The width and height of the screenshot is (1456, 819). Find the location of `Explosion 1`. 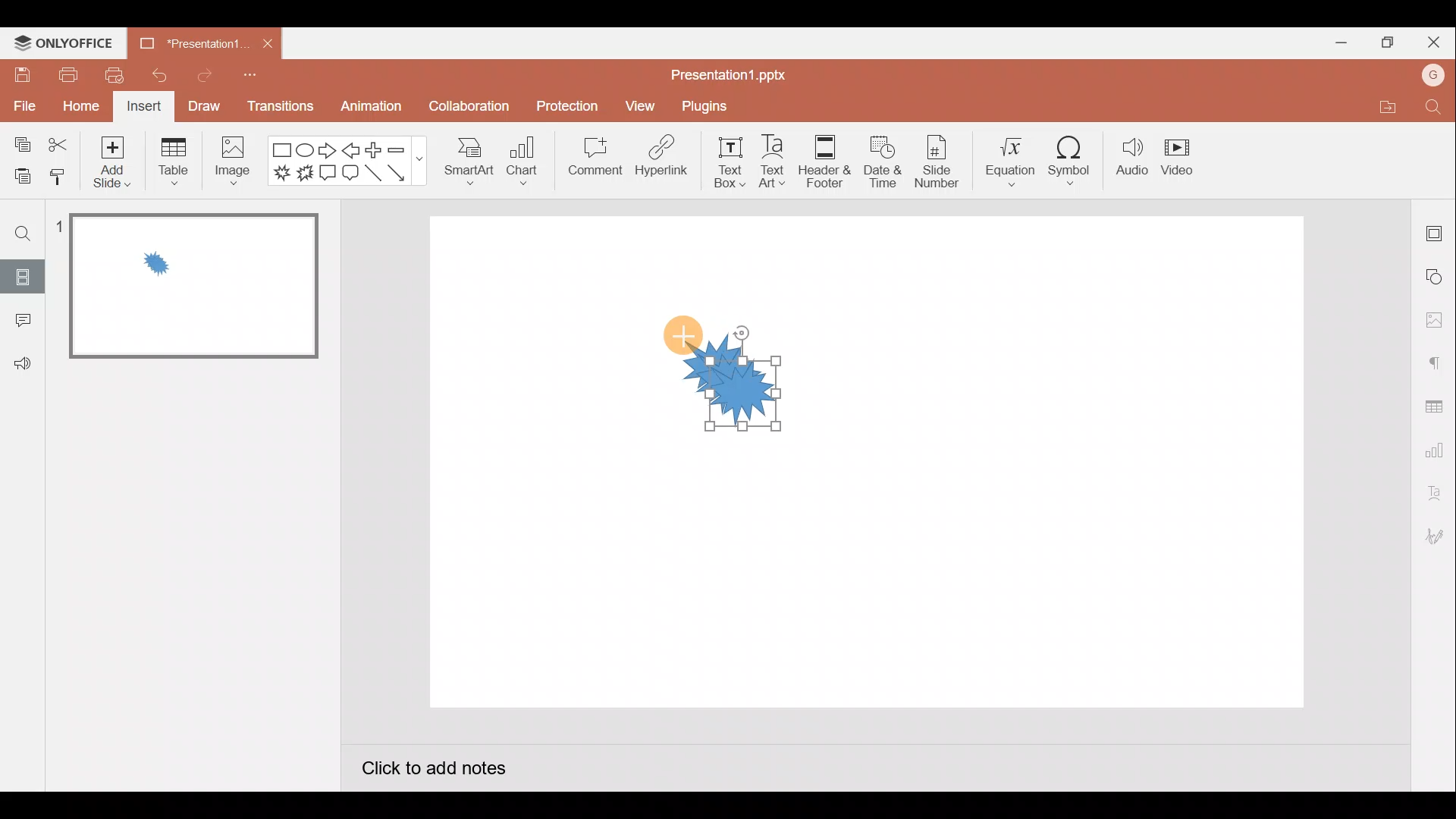

Explosion 1 is located at coordinates (279, 175).